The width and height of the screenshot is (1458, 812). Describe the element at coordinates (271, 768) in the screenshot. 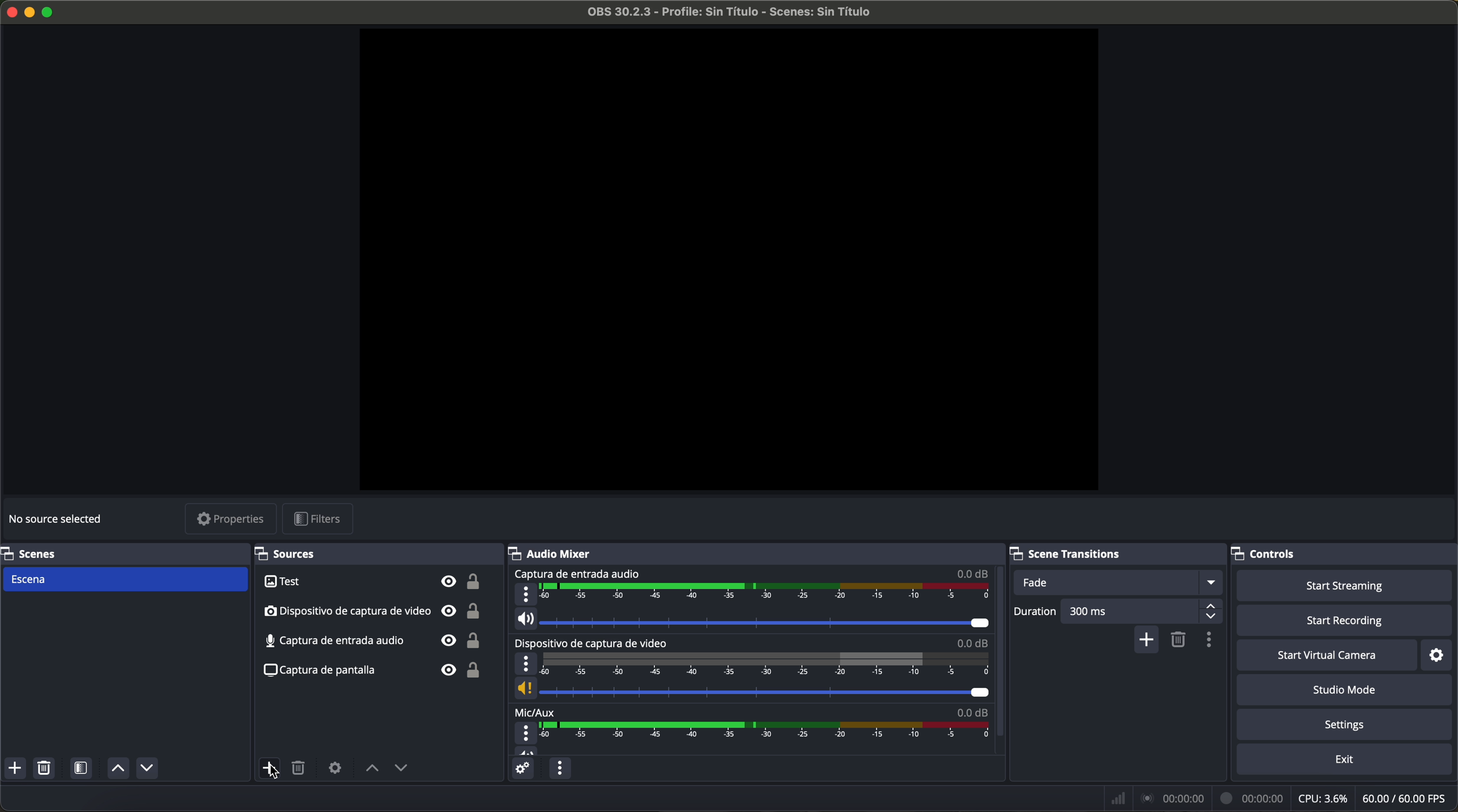

I see `click on add source` at that location.